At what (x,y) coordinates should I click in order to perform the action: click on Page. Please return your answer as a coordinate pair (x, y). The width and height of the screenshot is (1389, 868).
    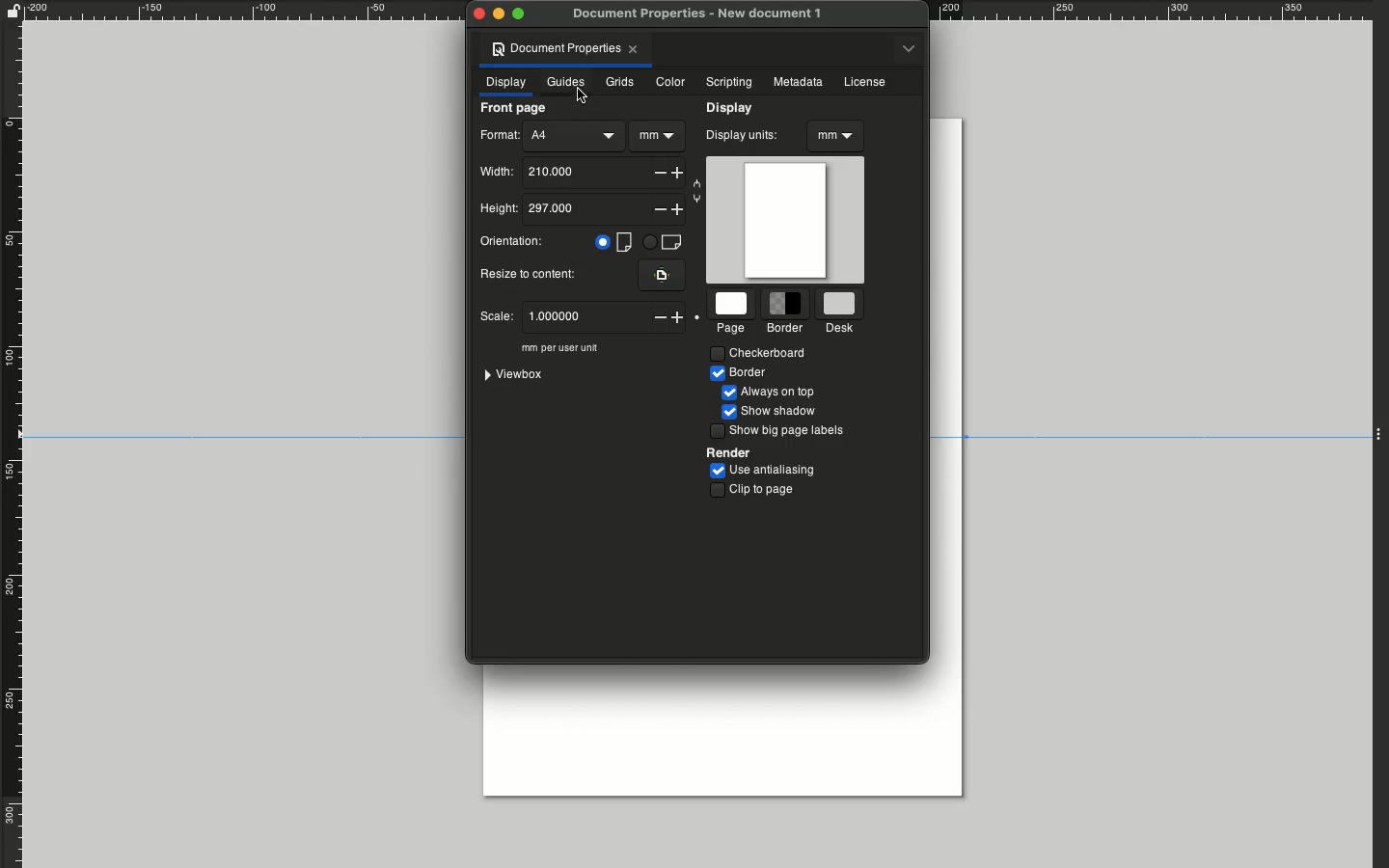
    Looking at the image, I should click on (722, 315).